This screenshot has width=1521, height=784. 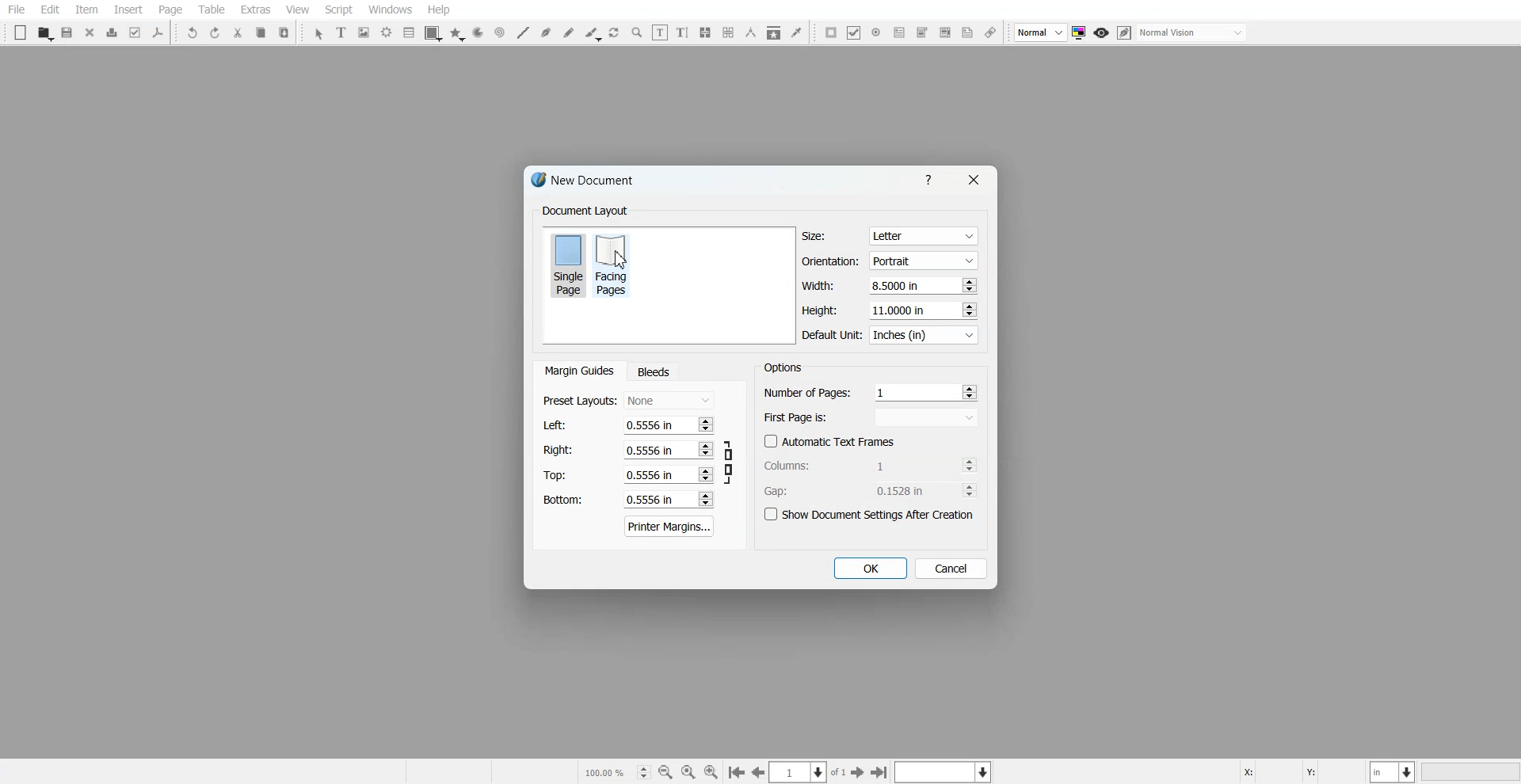 What do you see at coordinates (706, 450) in the screenshot?
I see `Increase and decrease No. ` at bounding box center [706, 450].